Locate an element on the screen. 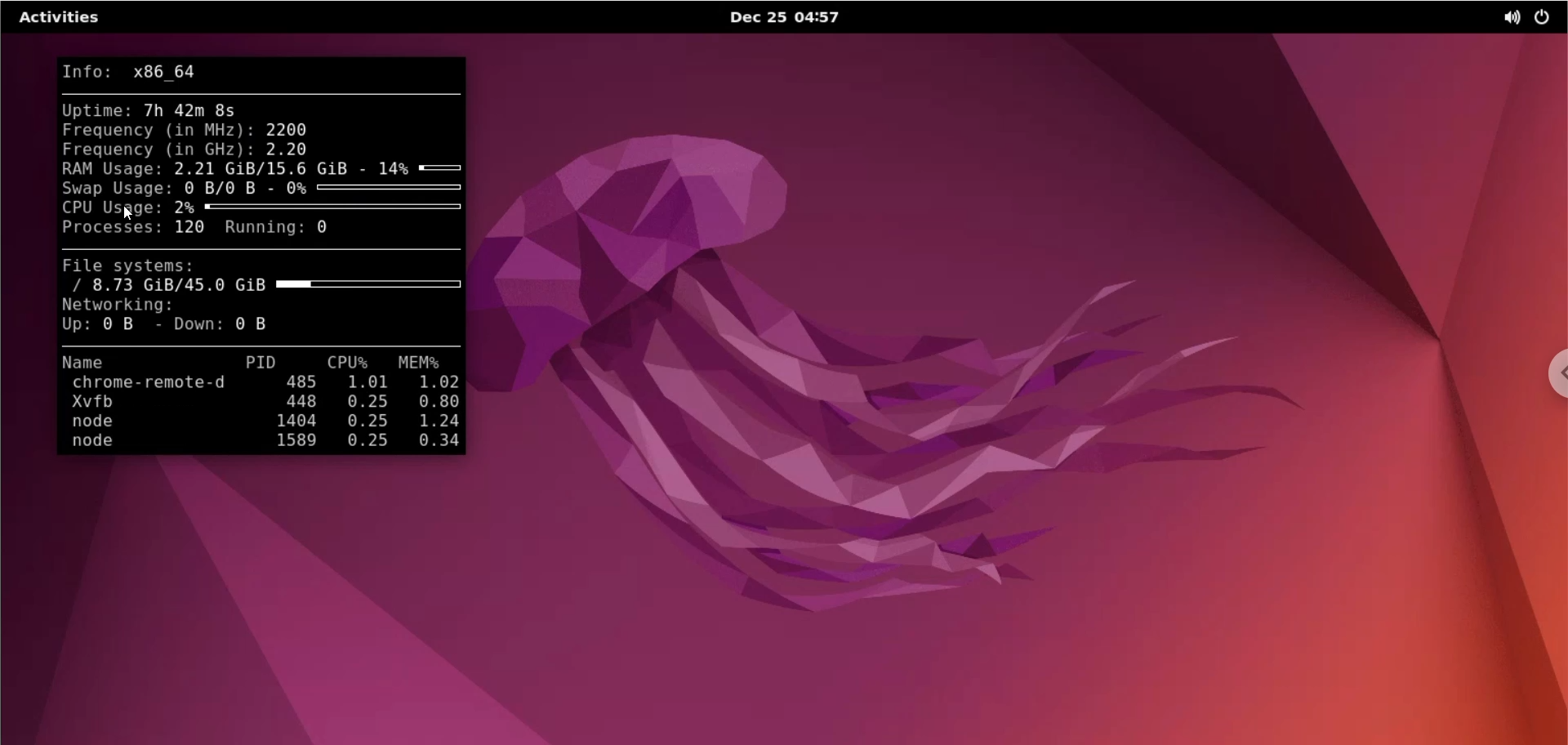 The image size is (1568, 745). sound options is located at coordinates (1508, 20).